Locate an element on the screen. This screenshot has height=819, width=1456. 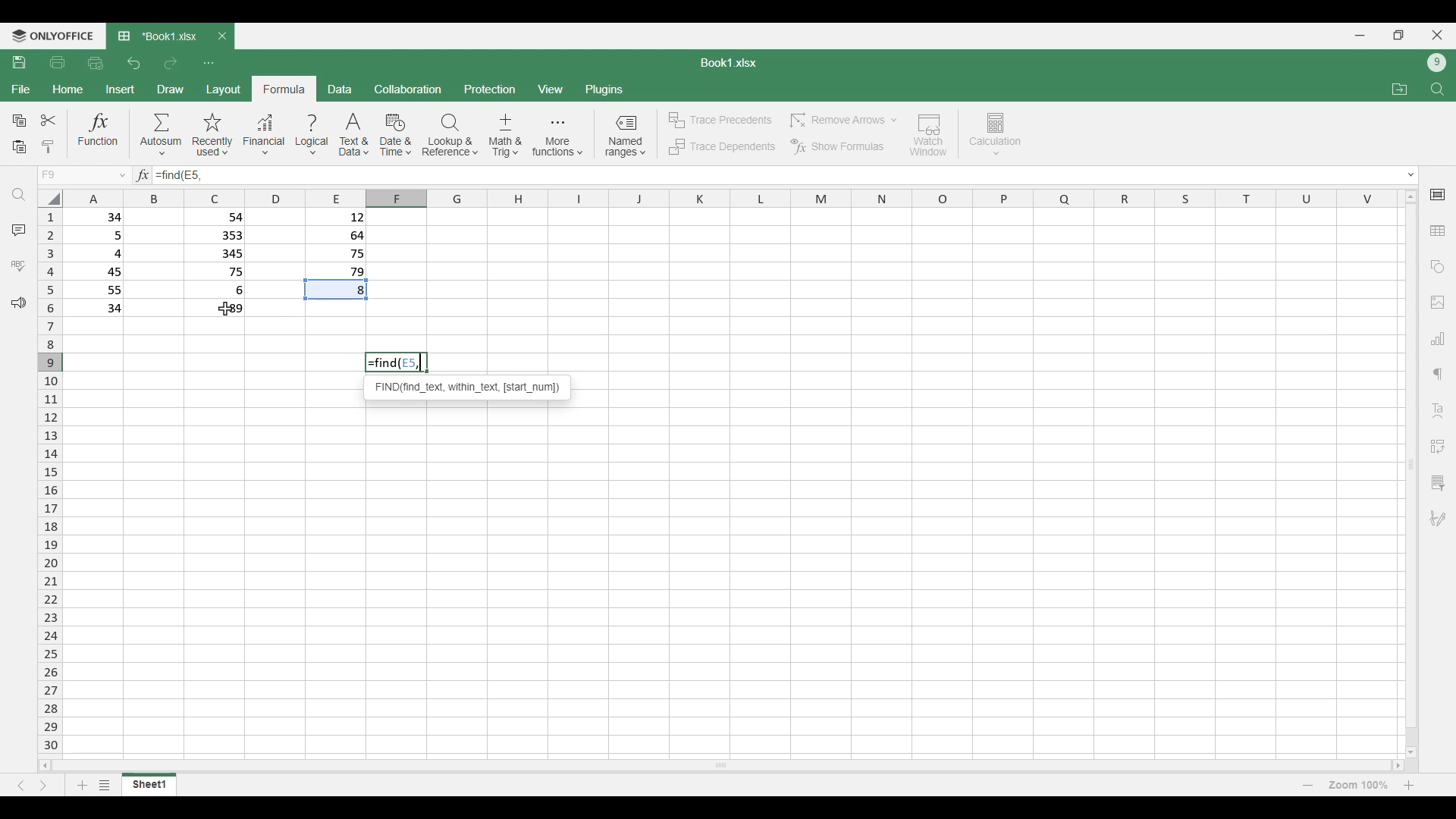
Current tab is located at coordinates (157, 37).